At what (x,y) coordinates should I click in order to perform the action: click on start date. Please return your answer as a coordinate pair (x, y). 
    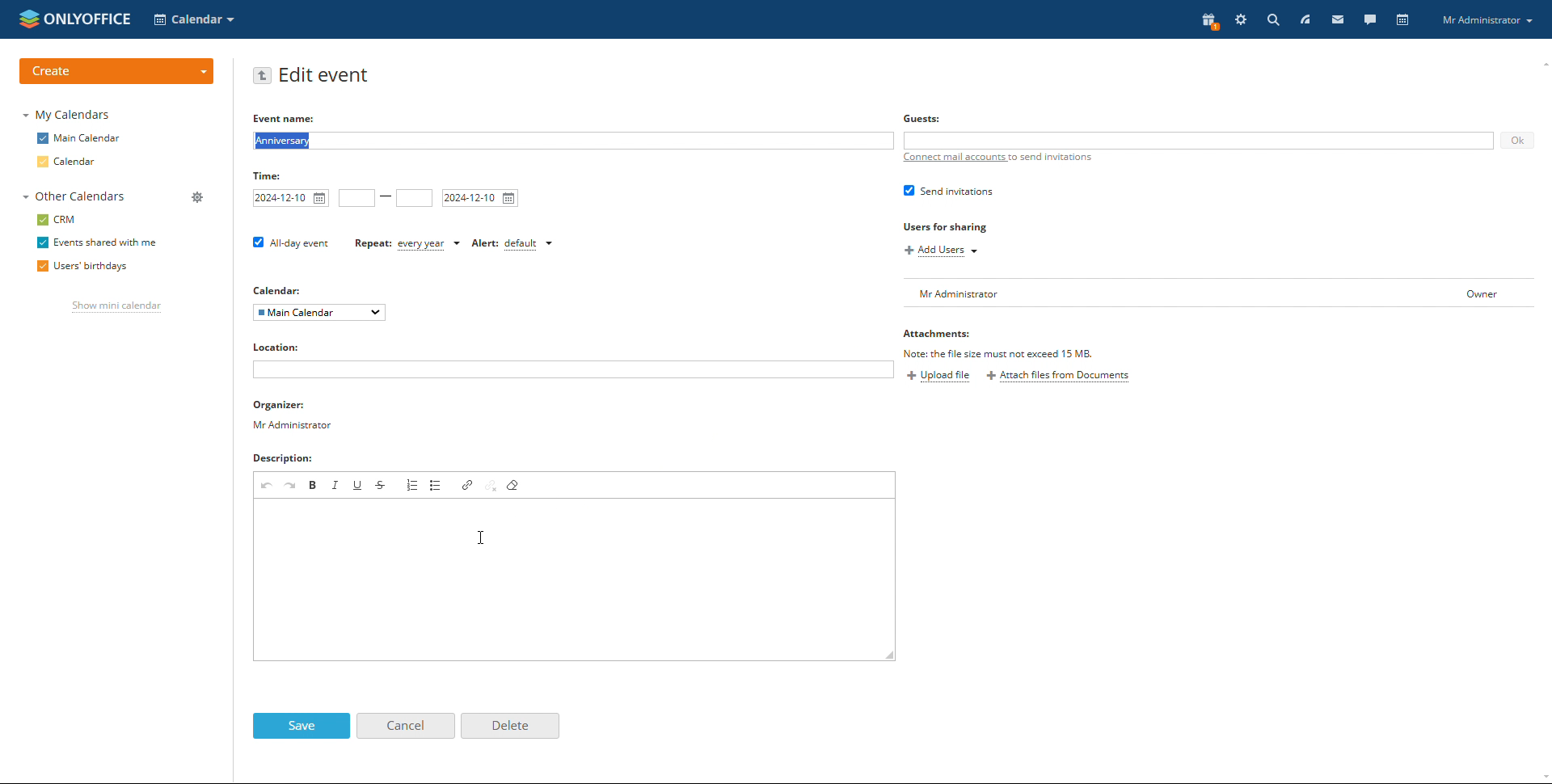
    Looking at the image, I should click on (291, 198).